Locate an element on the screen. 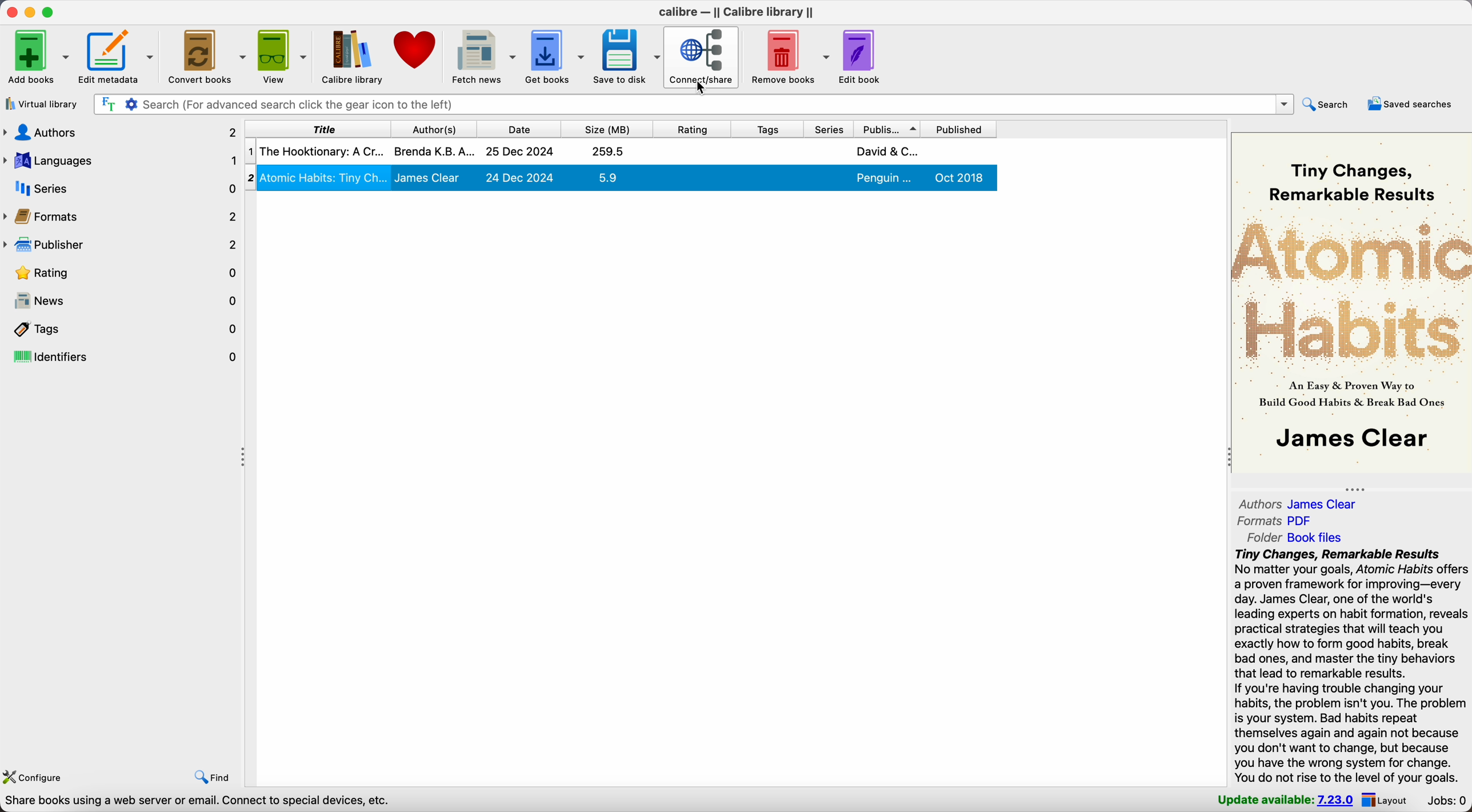 The width and height of the screenshot is (1472, 812). Jobs: 0 is located at coordinates (1445, 801).